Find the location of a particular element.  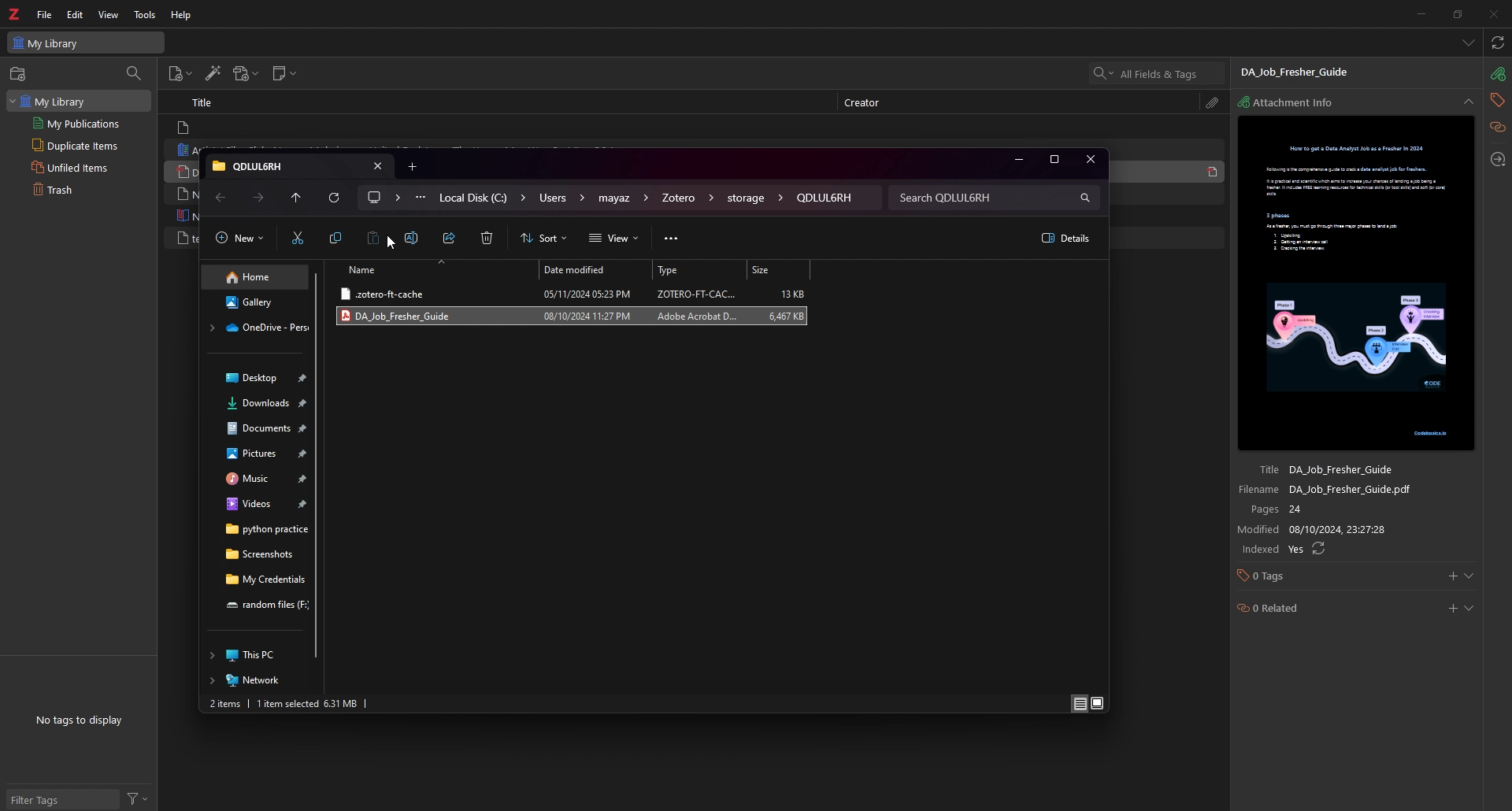

add tab is located at coordinates (413, 166).